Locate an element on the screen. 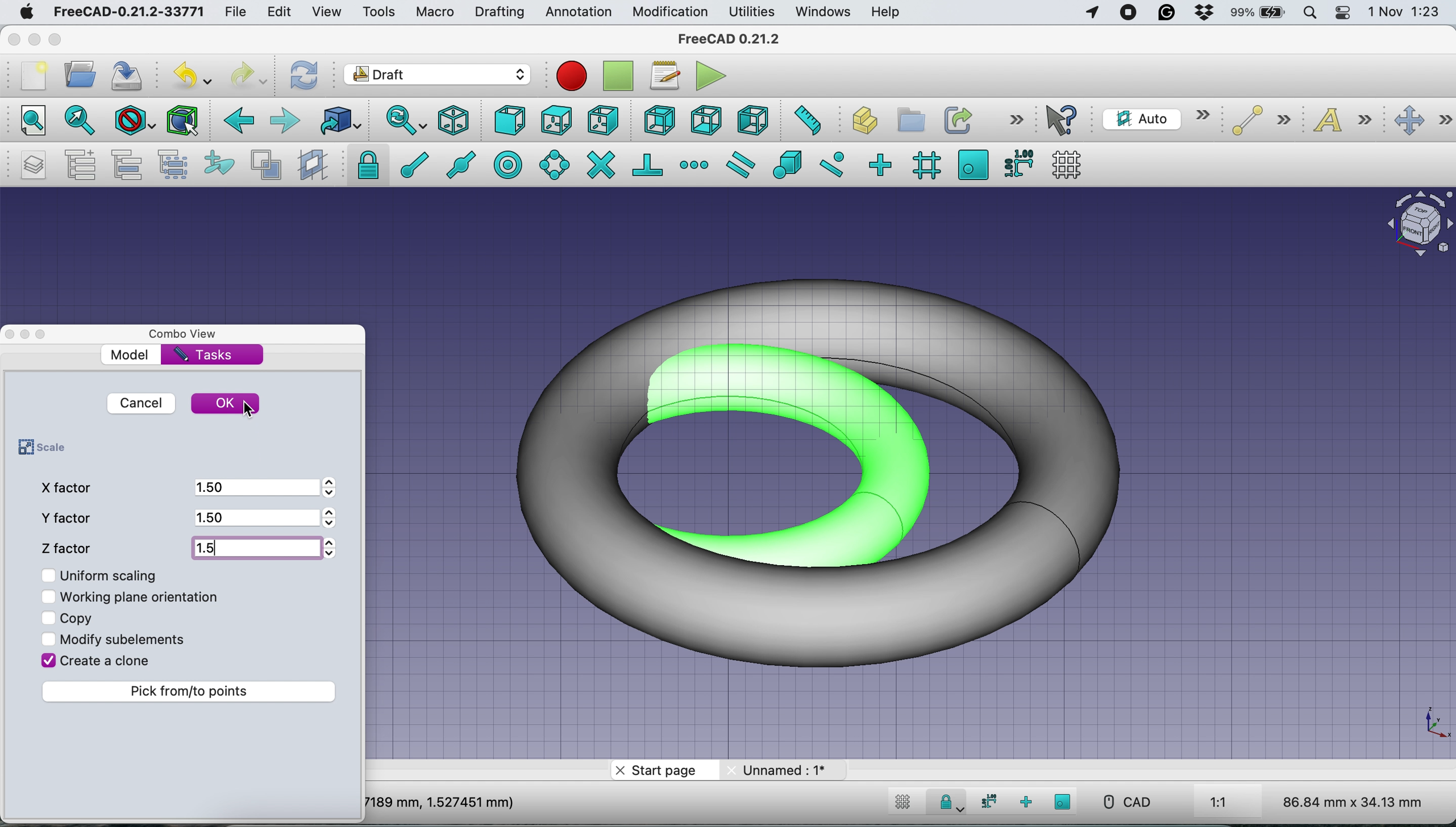  working plane orientation is located at coordinates (145, 596).